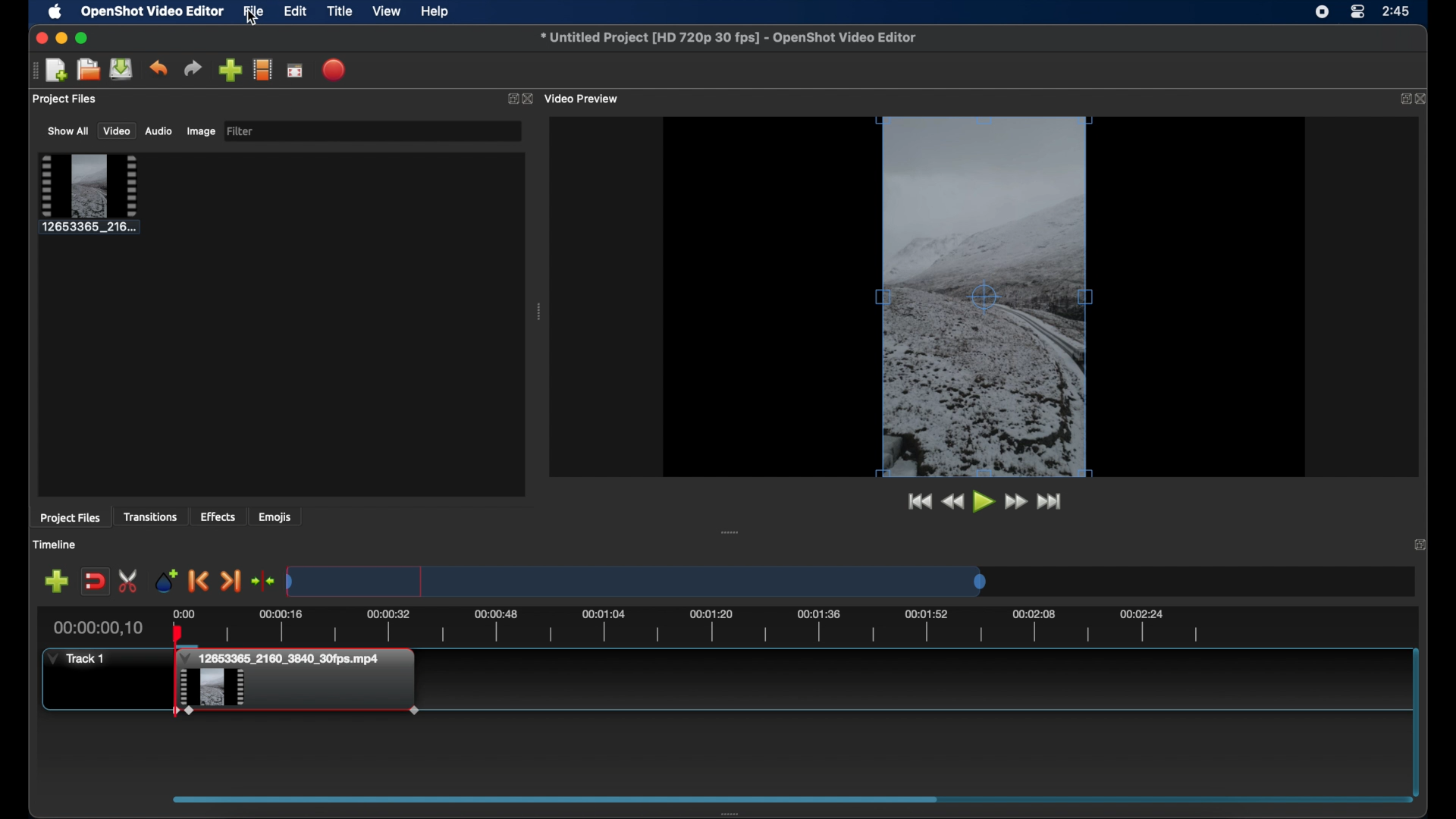 This screenshot has width=1456, height=819. I want to click on enable razor, so click(130, 580).